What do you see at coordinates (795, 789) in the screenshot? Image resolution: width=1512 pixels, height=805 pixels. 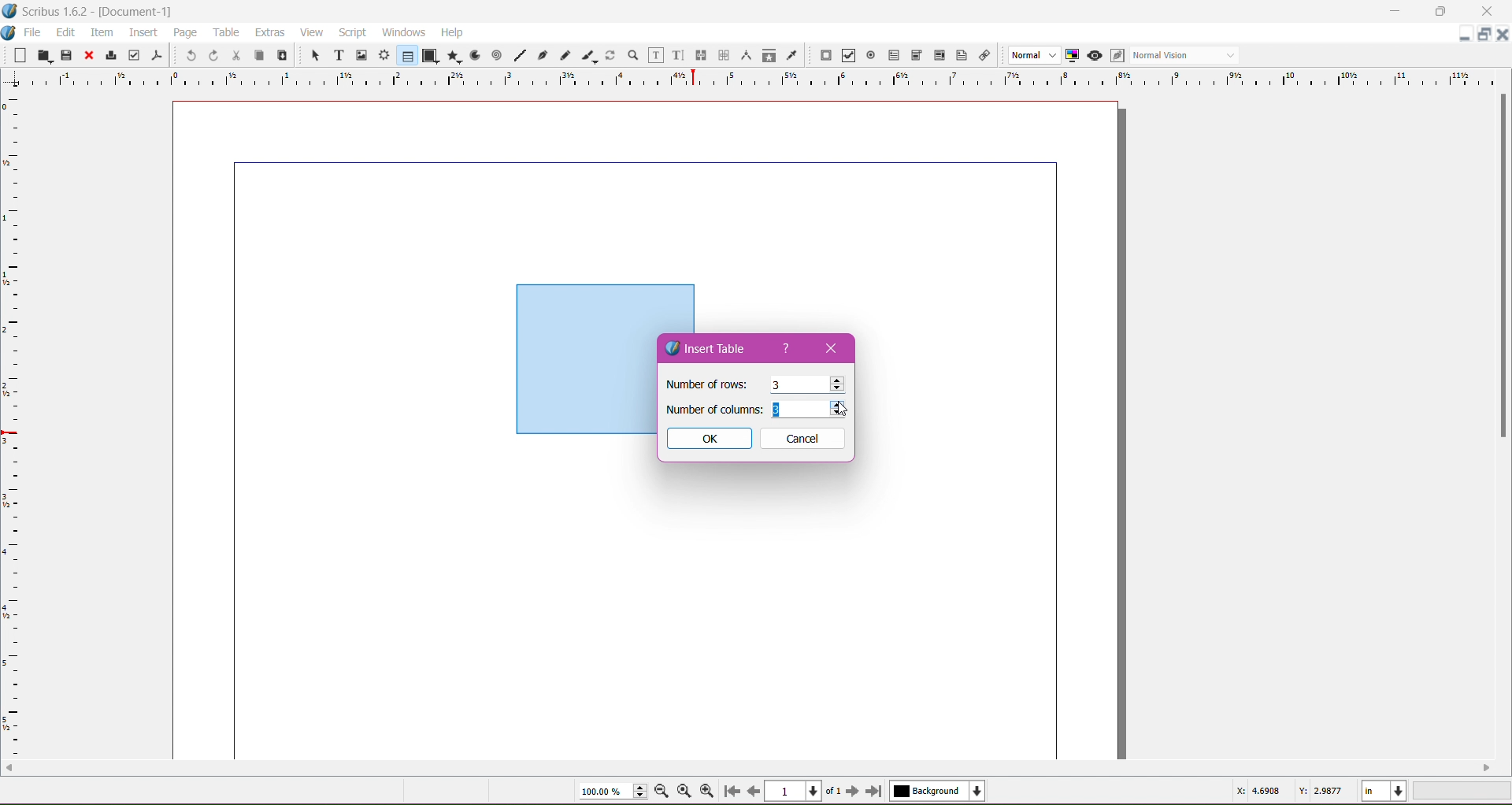 I see `Current Page` at bounding box center [795, 789].